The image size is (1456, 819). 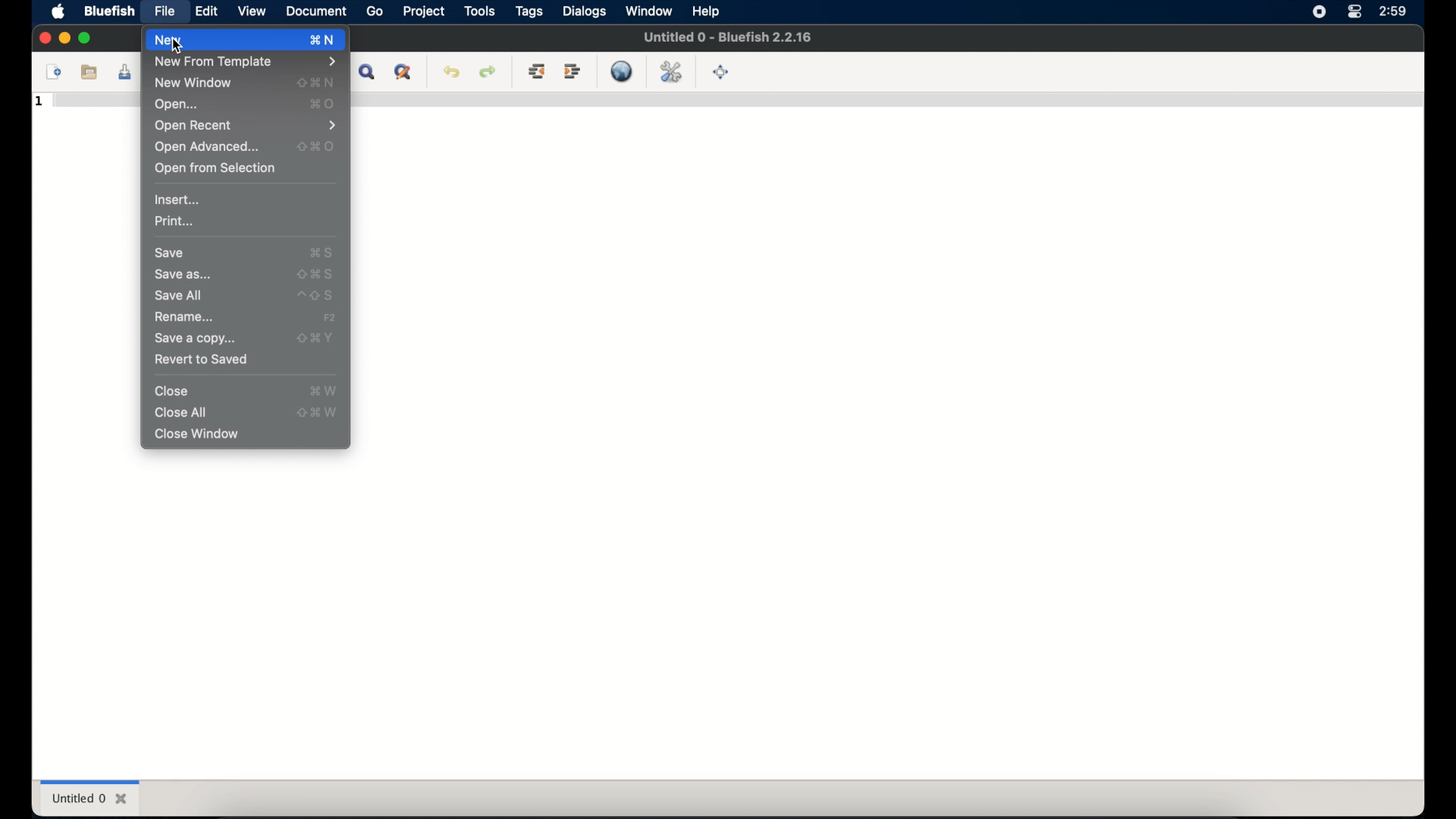 I want to click on cursor, so click(x=179, y=48).